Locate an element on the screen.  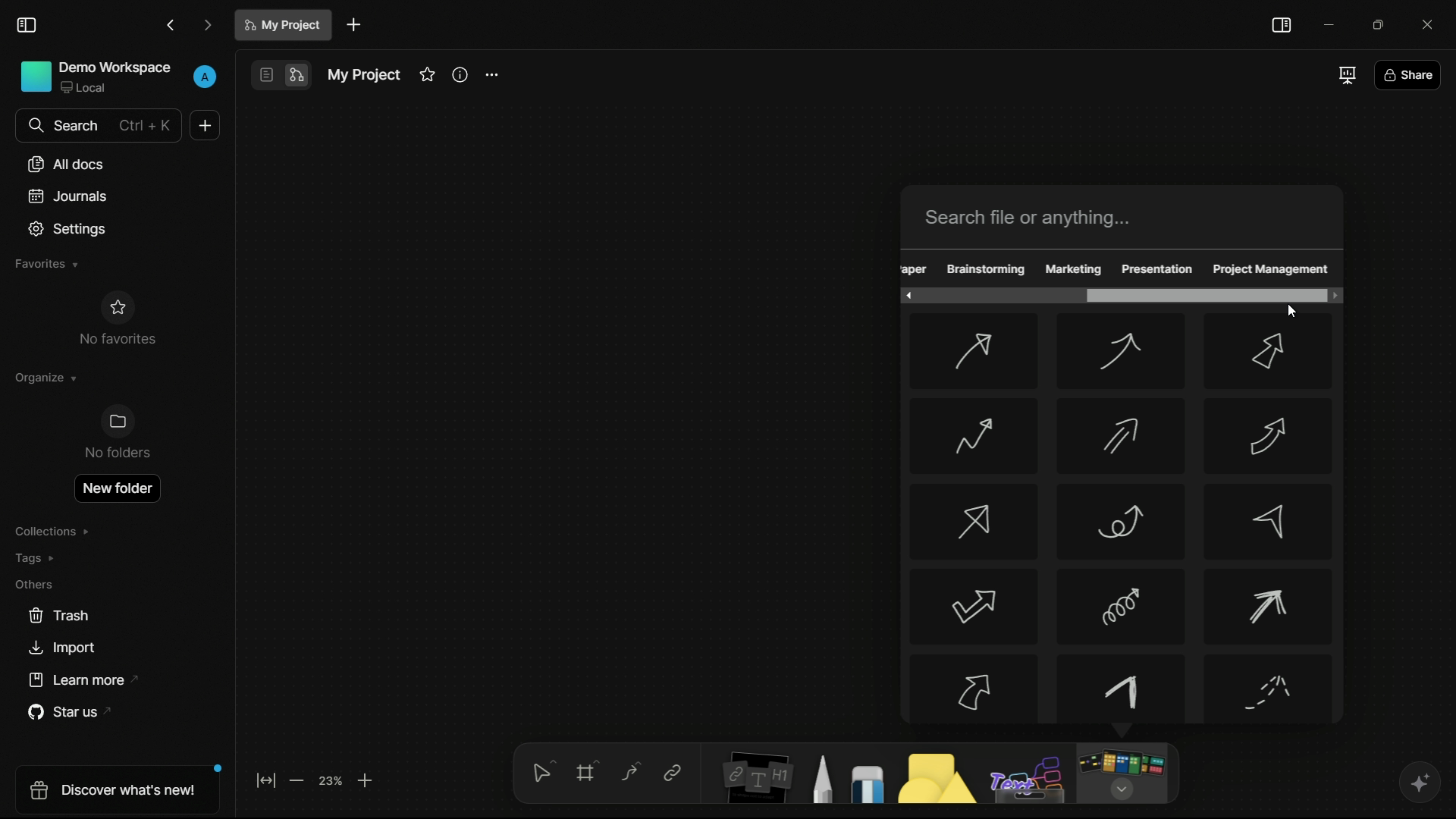
arrow-6 is located at coordinates (1270, 435).